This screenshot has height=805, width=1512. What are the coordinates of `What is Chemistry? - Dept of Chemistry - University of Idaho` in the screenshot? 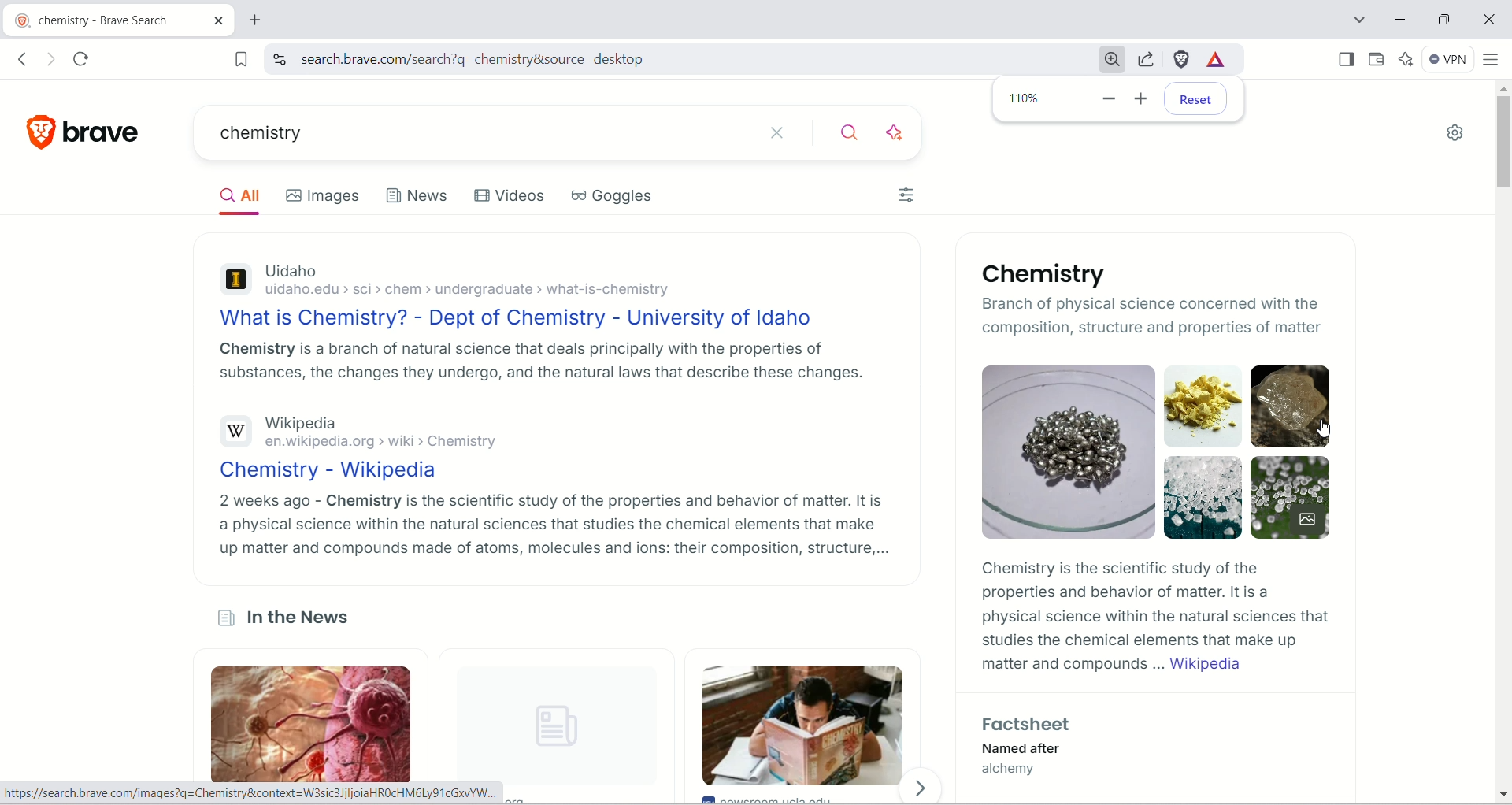 It's located at (524, 319).